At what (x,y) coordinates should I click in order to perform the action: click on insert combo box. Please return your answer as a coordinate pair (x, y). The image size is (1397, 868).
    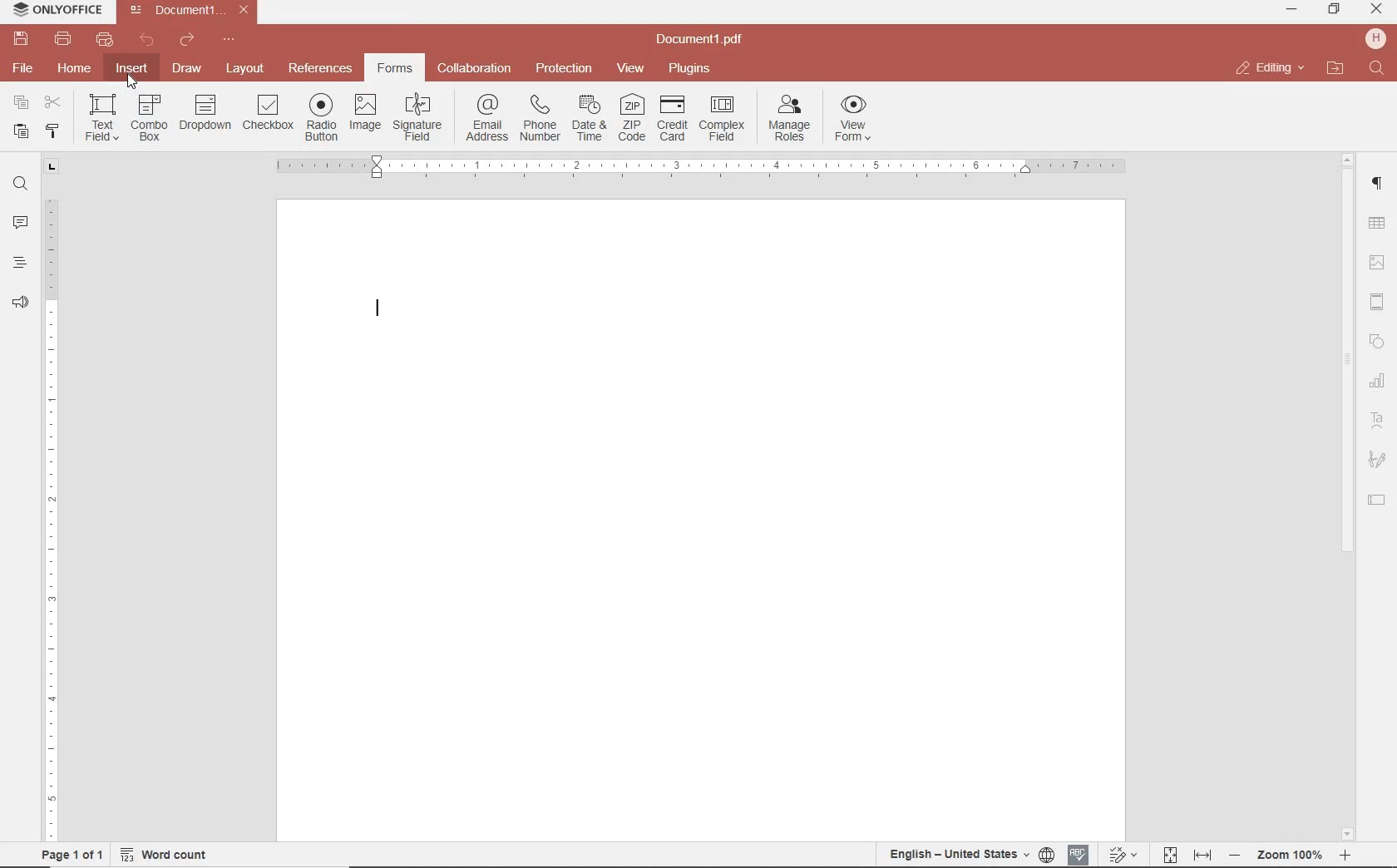
    Looking at the image, I should click on (150, 118).